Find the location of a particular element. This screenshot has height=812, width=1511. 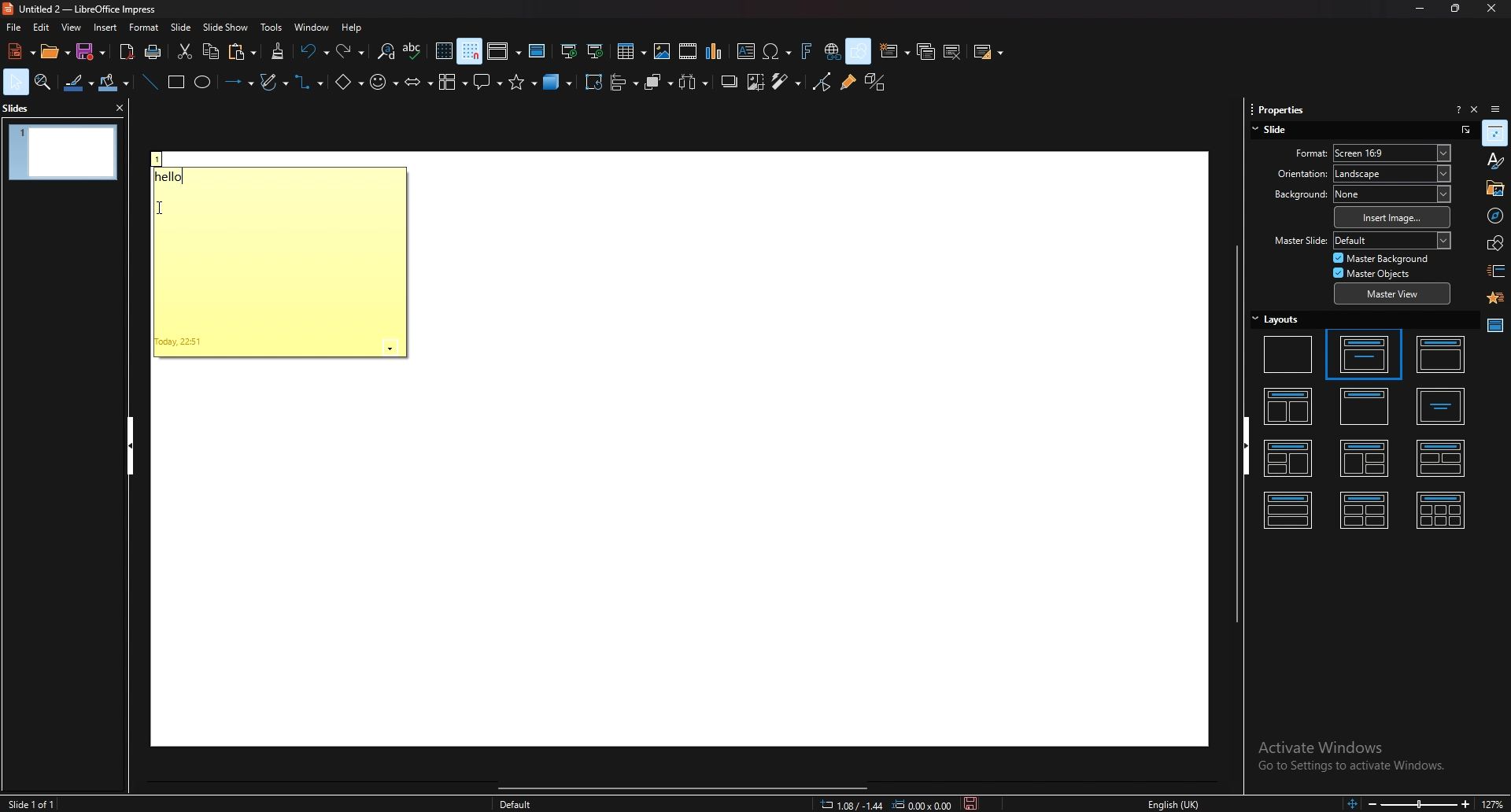

background none is located at coordinates (1392, 194).